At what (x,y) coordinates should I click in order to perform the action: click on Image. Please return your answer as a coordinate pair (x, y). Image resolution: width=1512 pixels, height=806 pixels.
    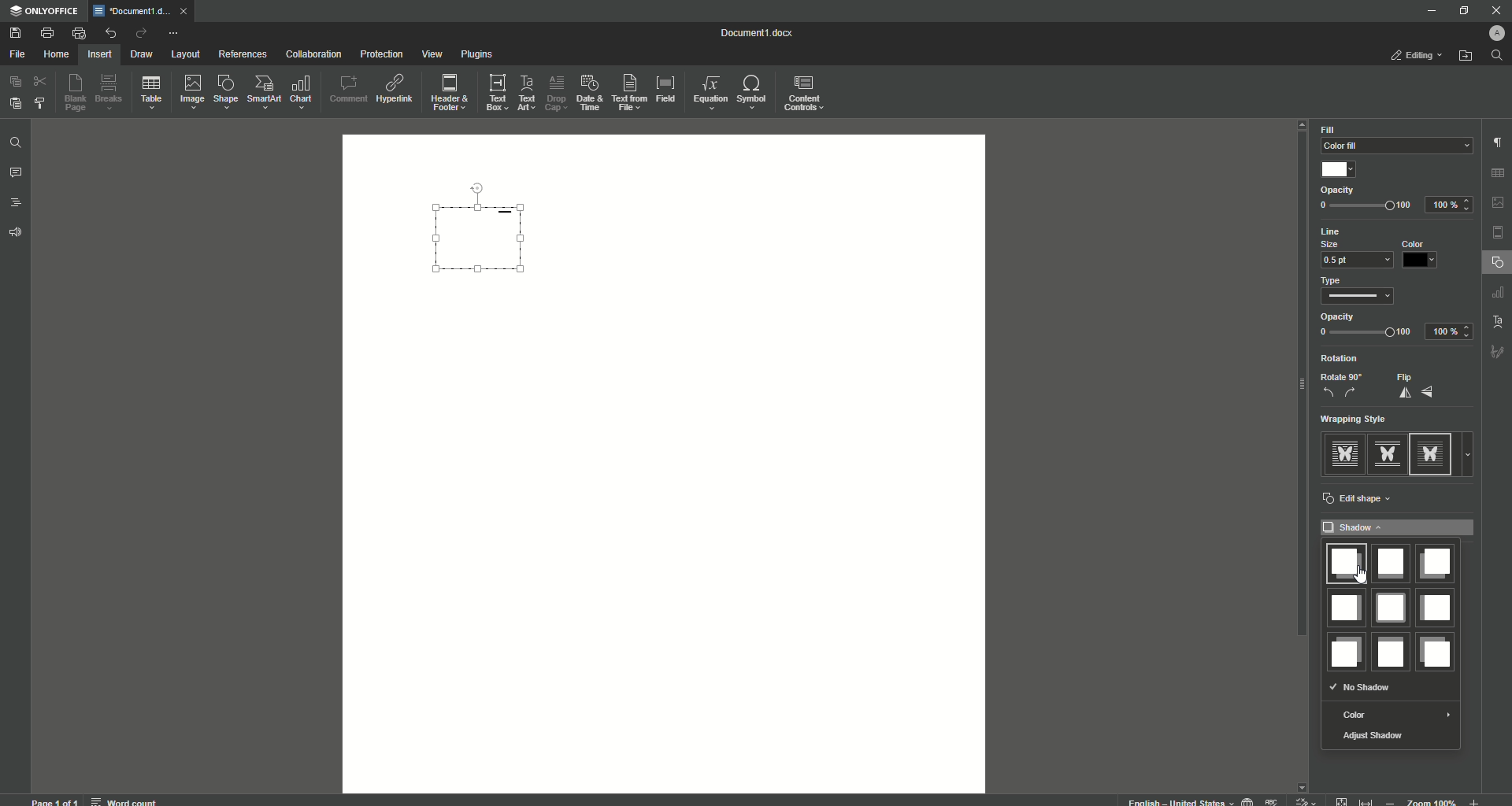
    Looking at the image, I should click on (191, 91).